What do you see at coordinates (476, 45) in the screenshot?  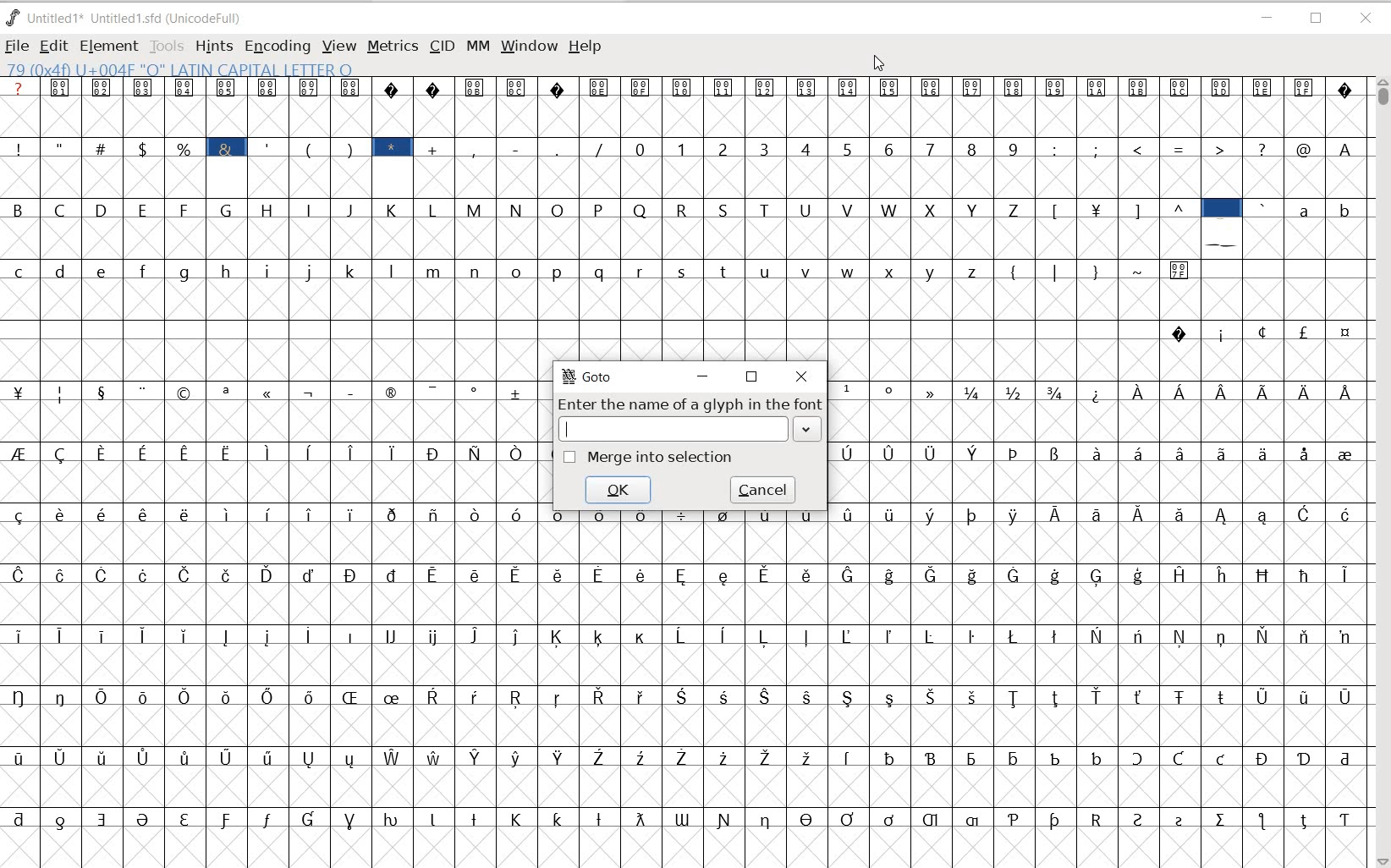 I see `MM` at bounding box center [476, 45].